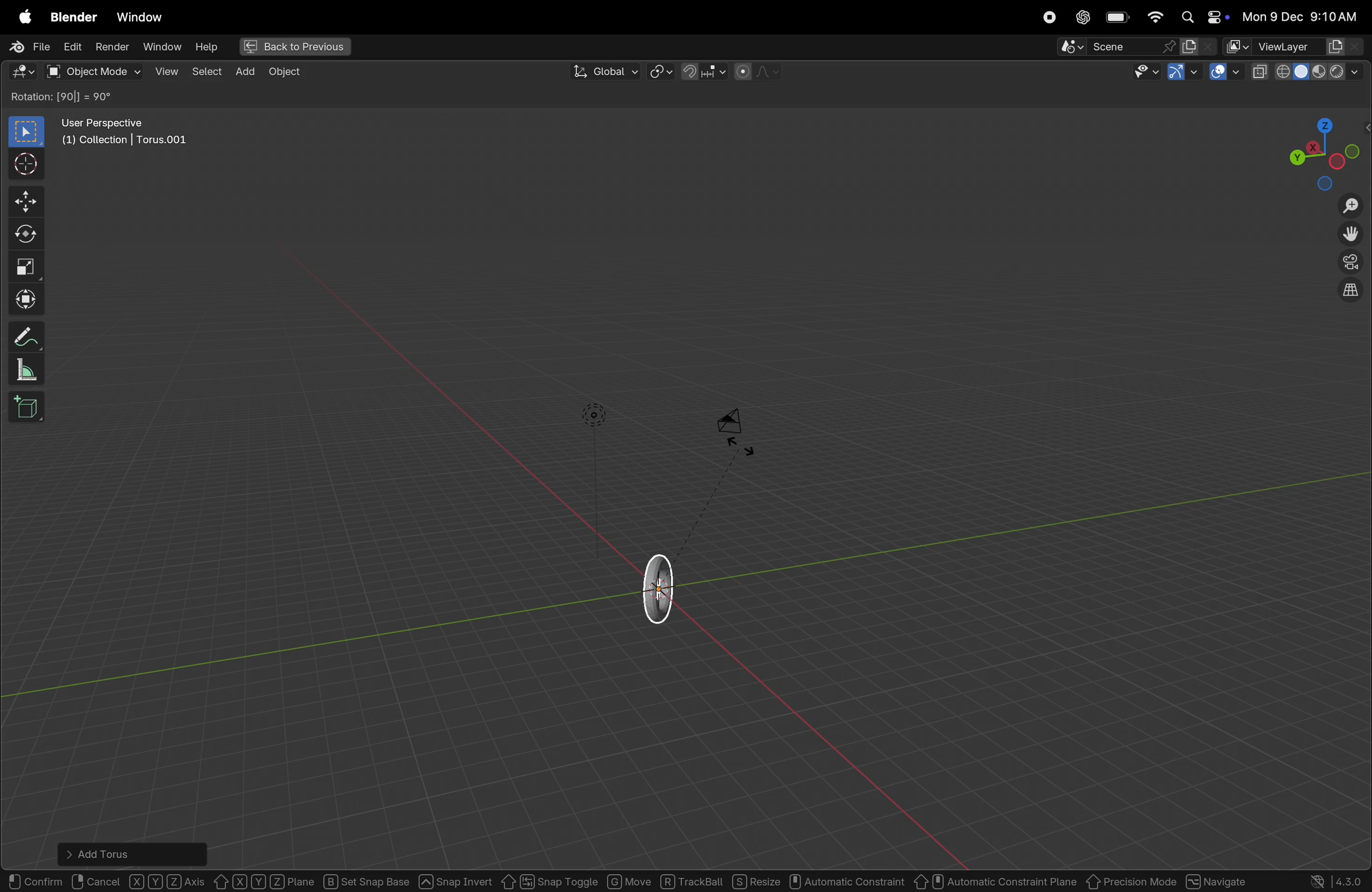 This screenshot has width=1372, height=892. I want to click on Hlep, so click(205, 47).